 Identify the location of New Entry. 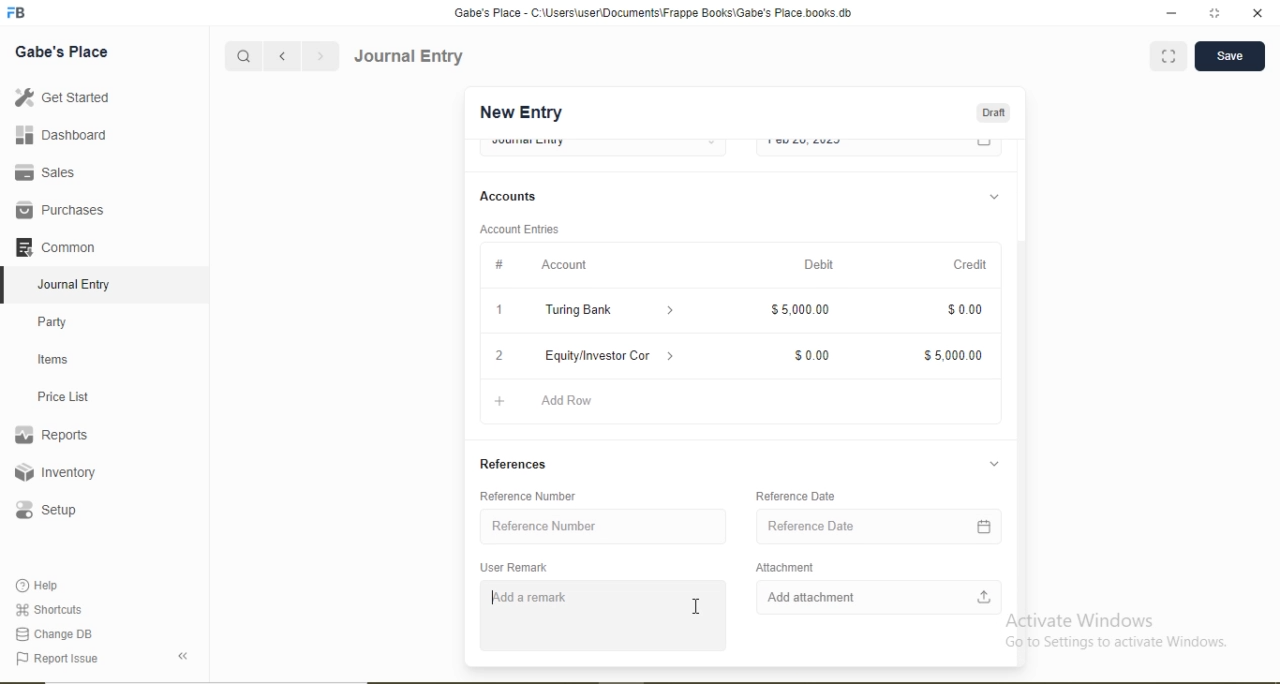
(520, 113).